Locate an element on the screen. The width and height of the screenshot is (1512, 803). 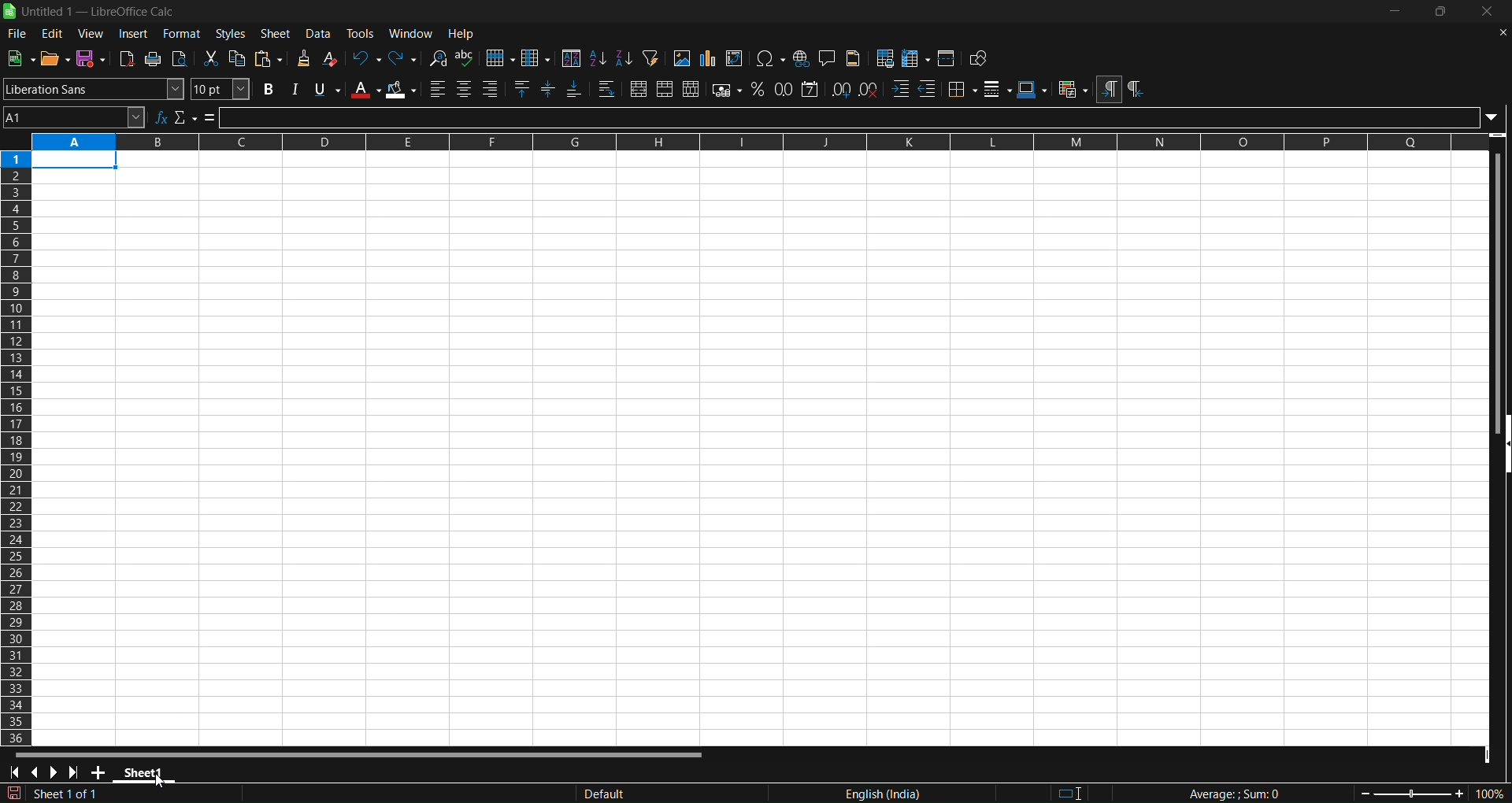
border color is located at coordinates (1032, 89).